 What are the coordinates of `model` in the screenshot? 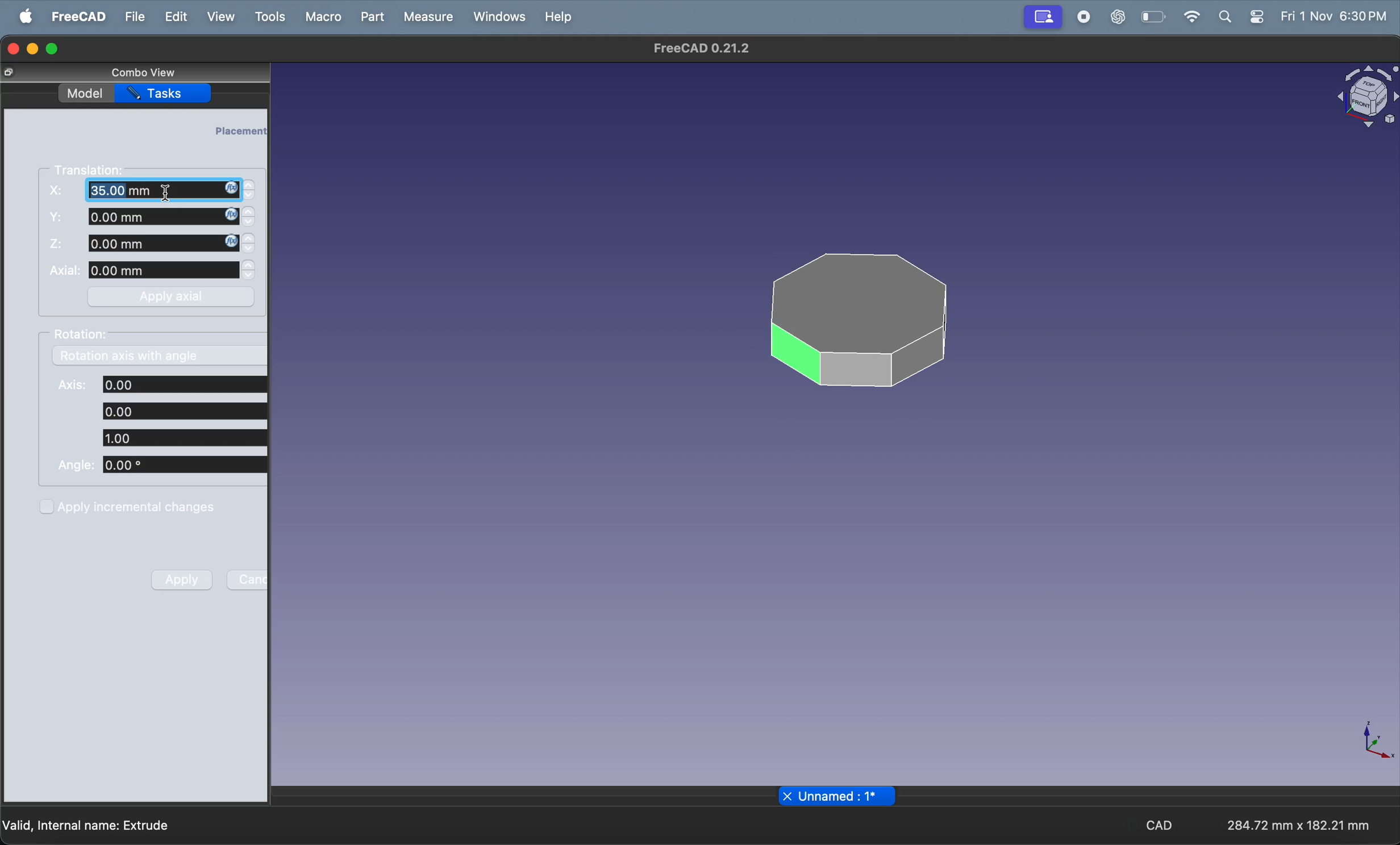 It's located at (84, 92).